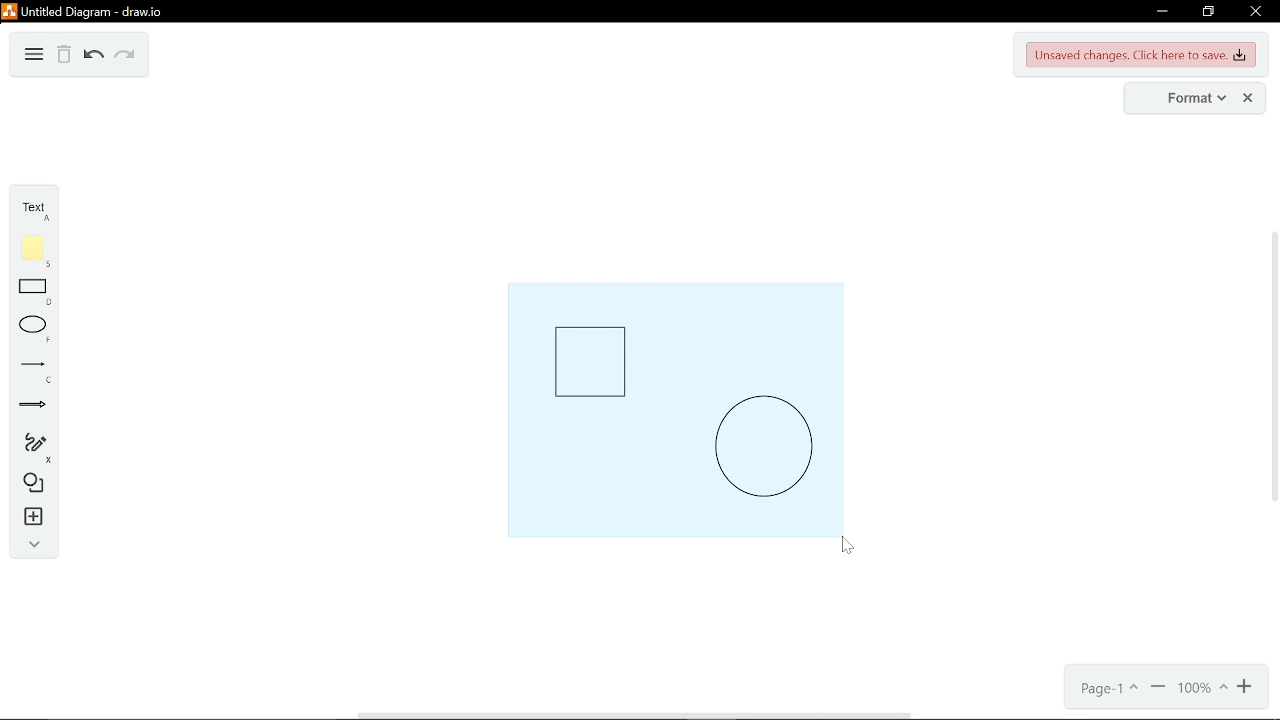  What do you see at coordinates (30, 486) in the screenshot?
I see `shapes` at bounding box center [30, 486].